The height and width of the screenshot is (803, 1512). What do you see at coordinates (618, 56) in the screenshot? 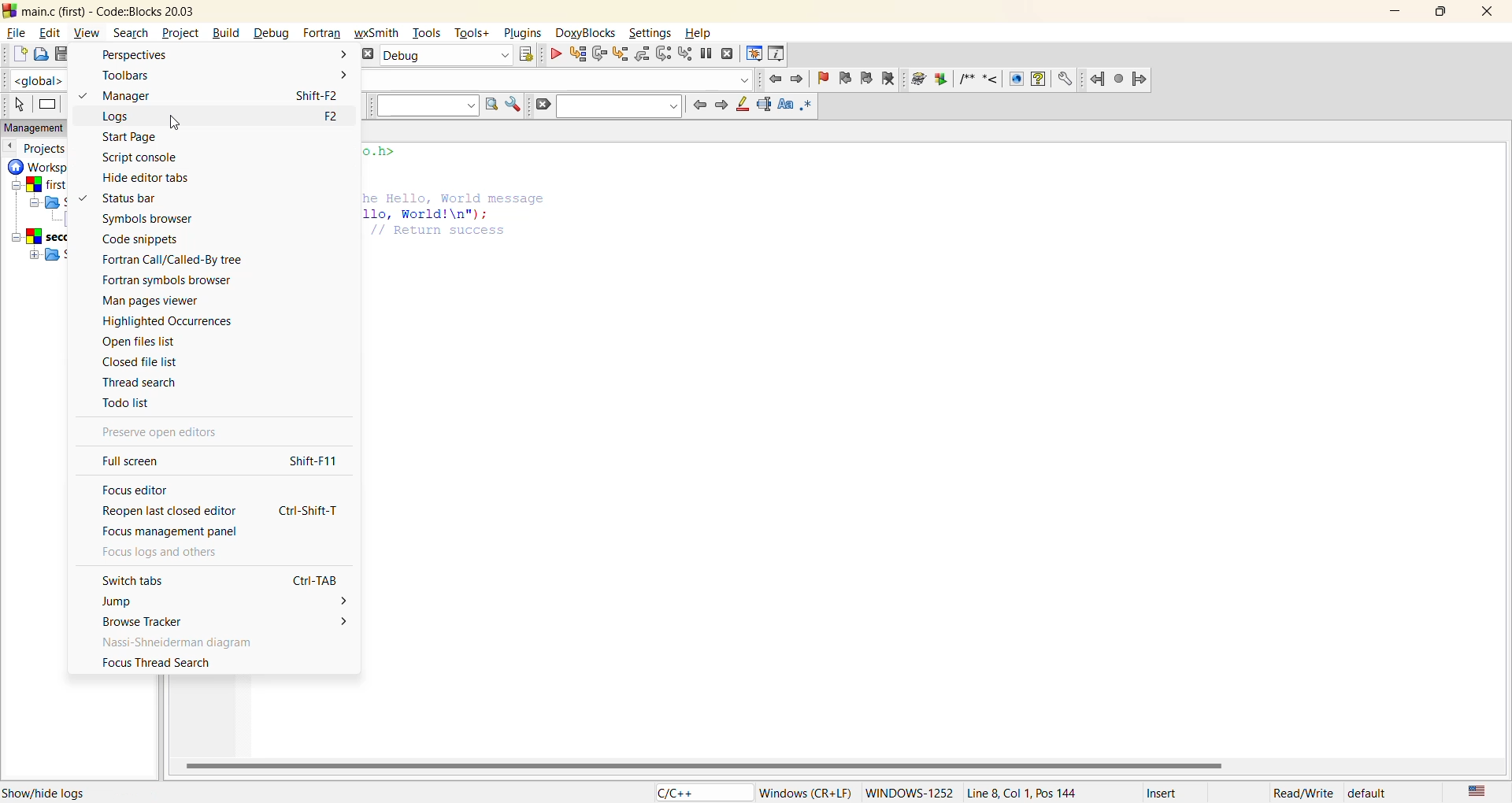
I see `step into` at bounding box center [618, 56].